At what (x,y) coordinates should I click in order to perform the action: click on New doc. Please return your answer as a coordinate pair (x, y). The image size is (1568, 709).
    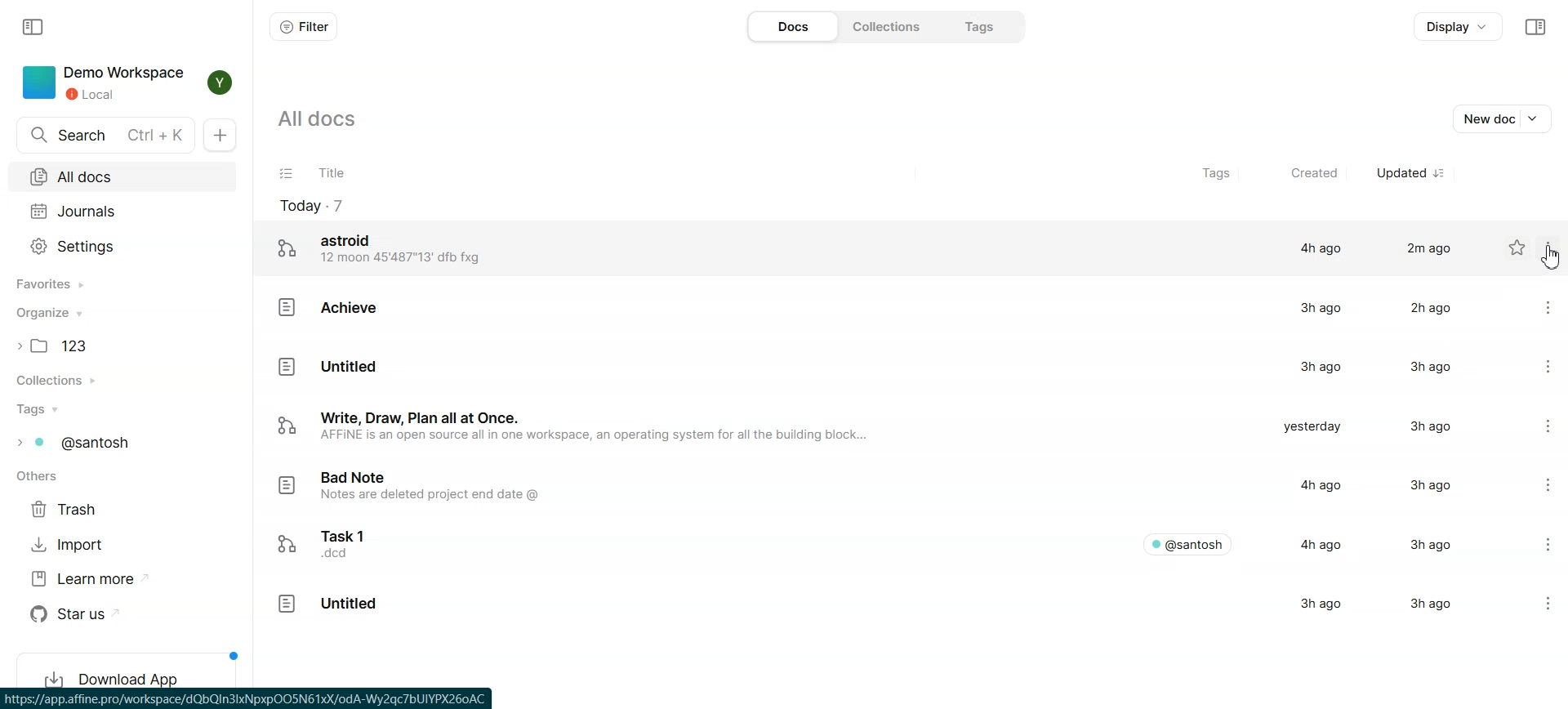
    Looking at the image, I should click on (221, 134).